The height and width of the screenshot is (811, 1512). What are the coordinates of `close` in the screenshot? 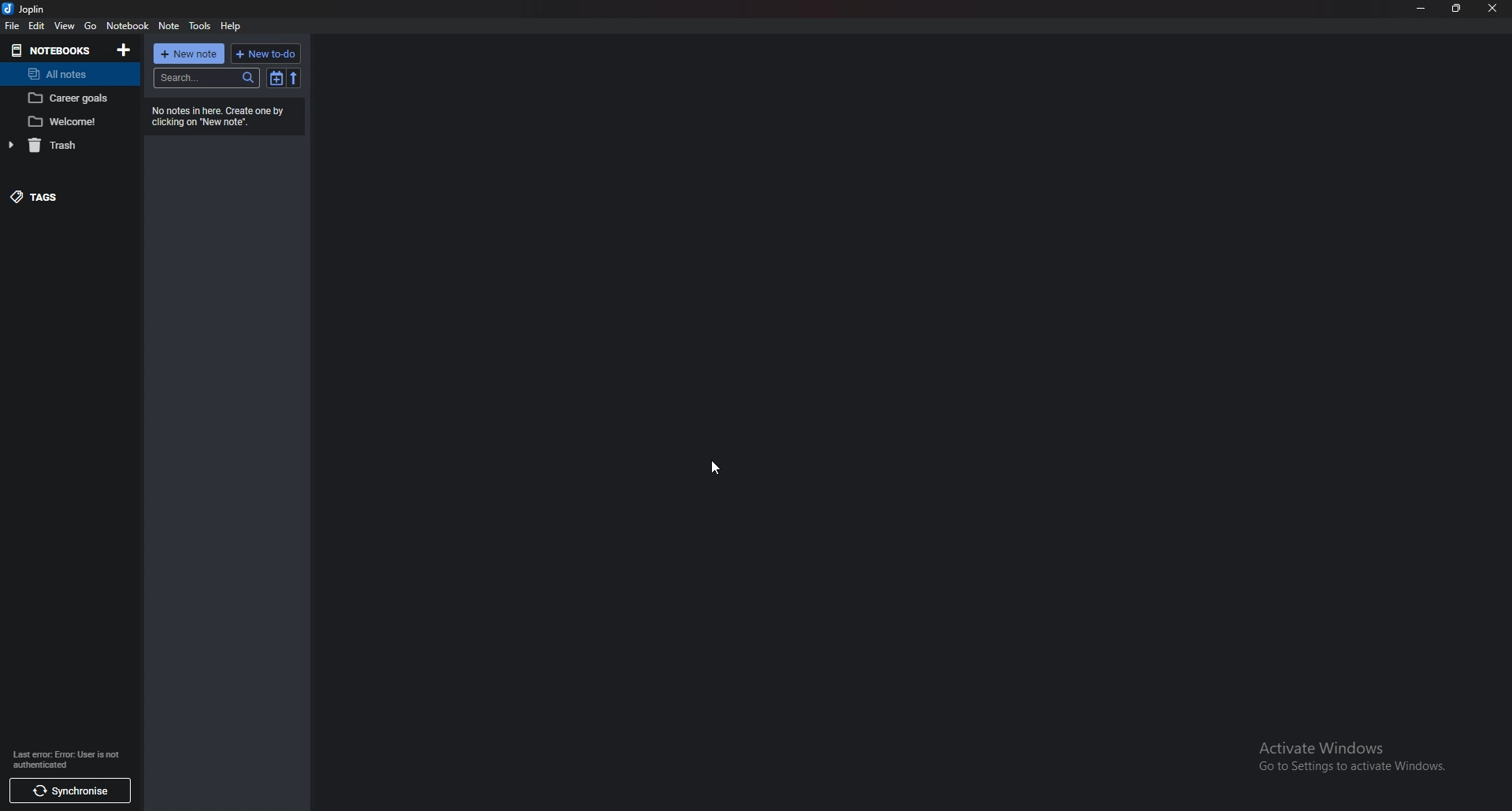 It's located at (1493, 9).